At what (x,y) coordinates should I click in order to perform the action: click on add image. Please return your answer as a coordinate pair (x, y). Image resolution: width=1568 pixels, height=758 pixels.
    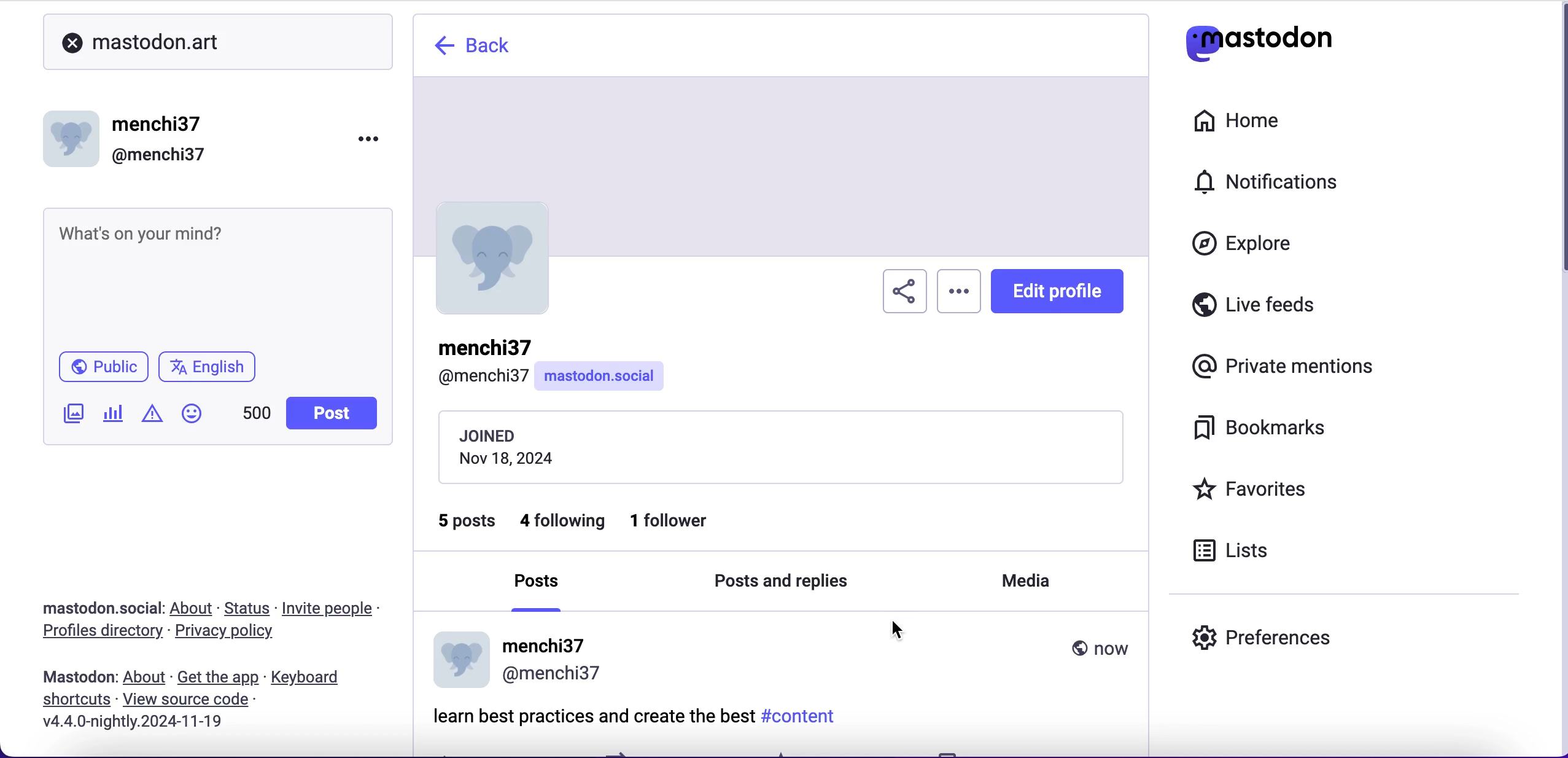
    Looking at the image, I should click on (71, 415).